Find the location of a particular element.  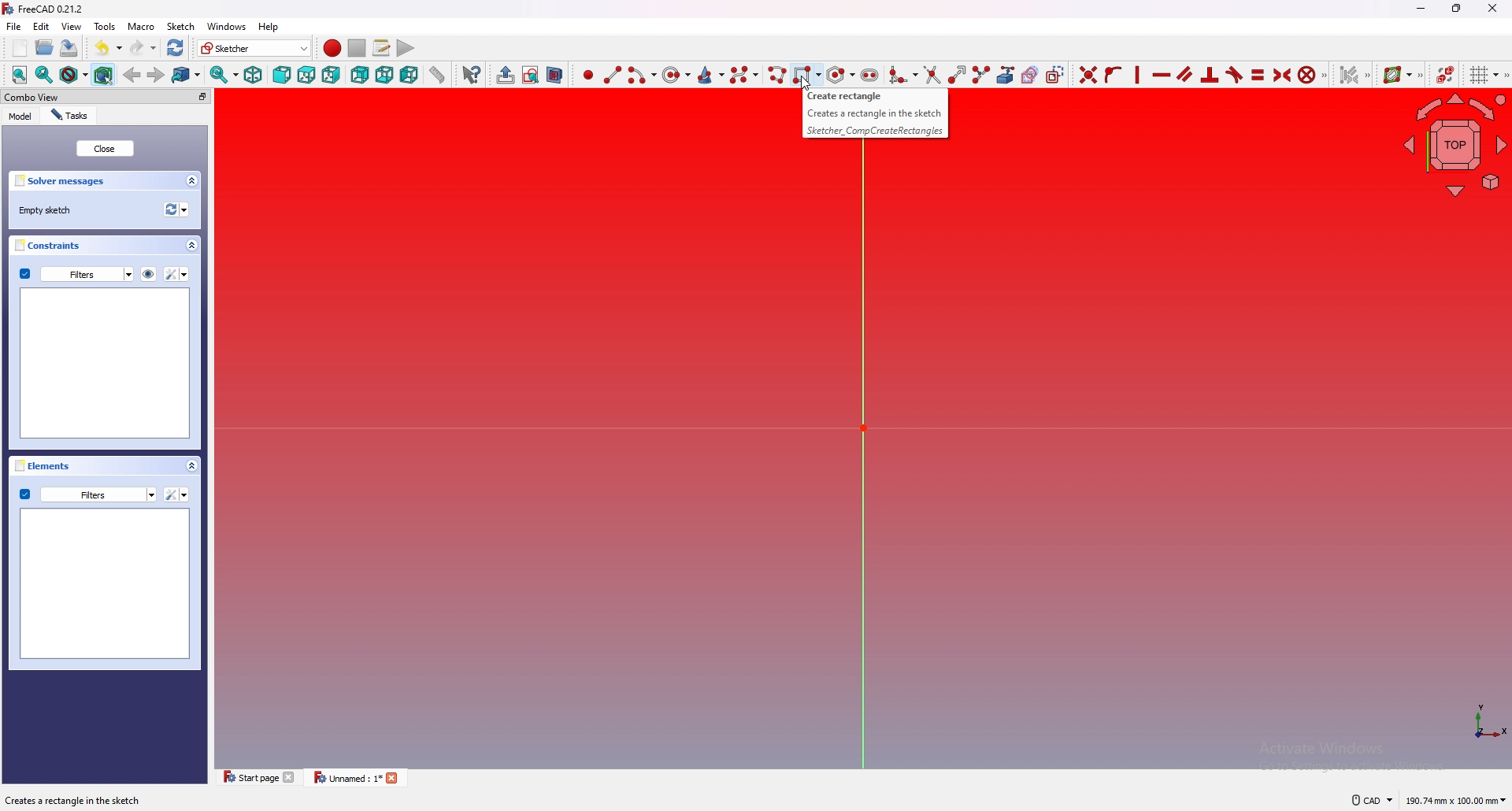

filters is located at coordinates (76, 273).